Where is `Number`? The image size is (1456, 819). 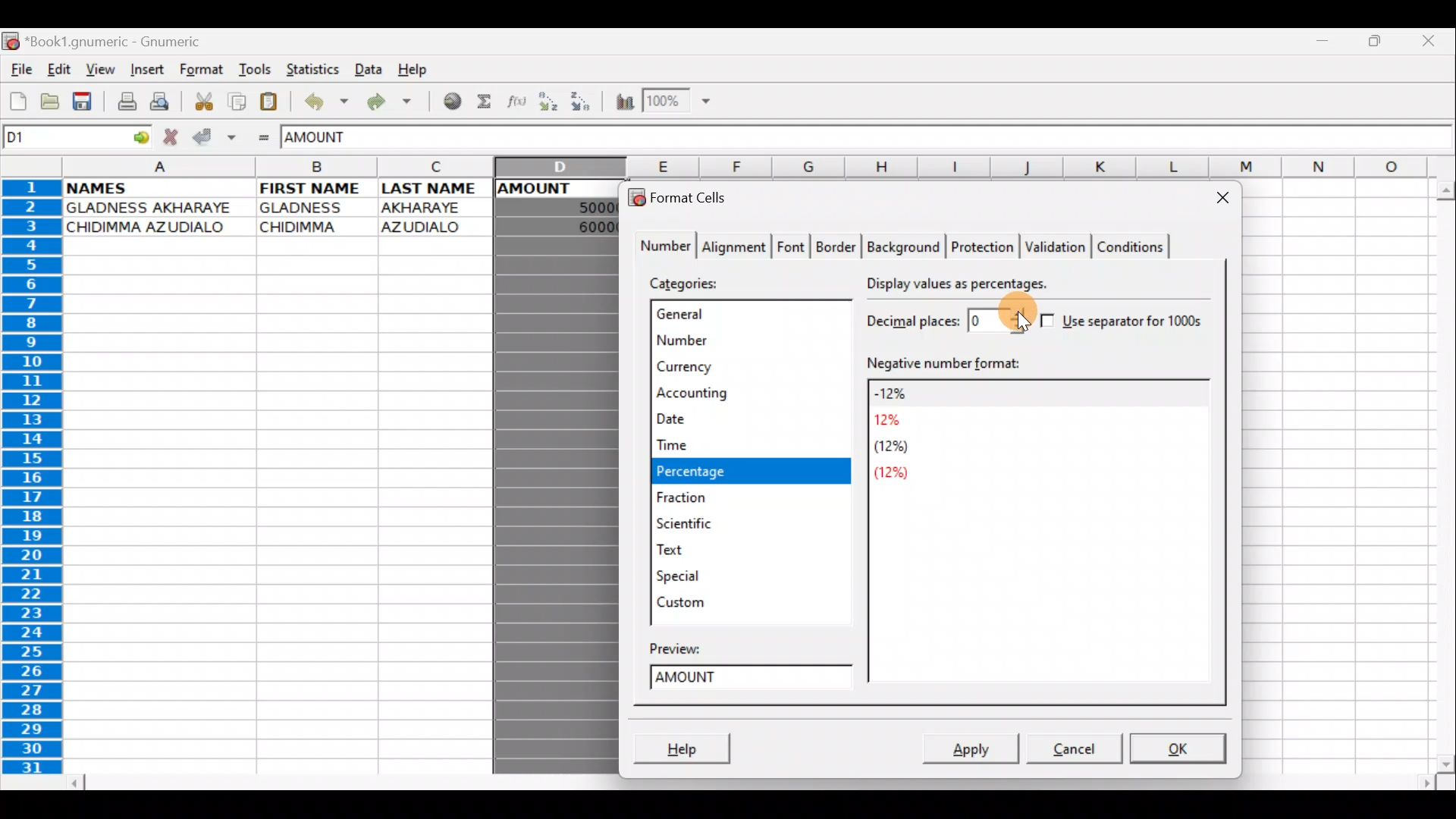
Number is located at coordinates (661, 246).